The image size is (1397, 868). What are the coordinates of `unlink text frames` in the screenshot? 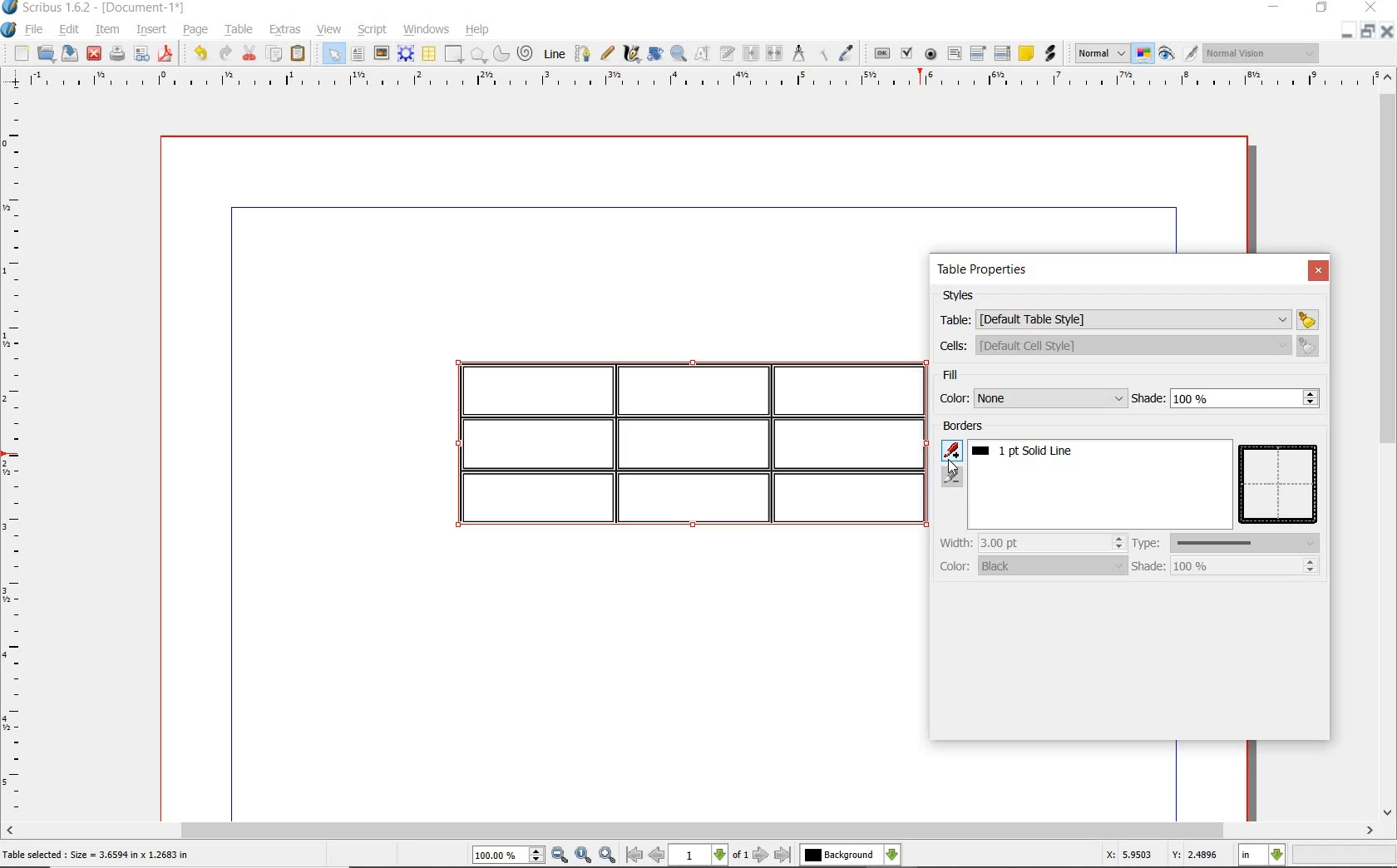 It's located at (775, 53).